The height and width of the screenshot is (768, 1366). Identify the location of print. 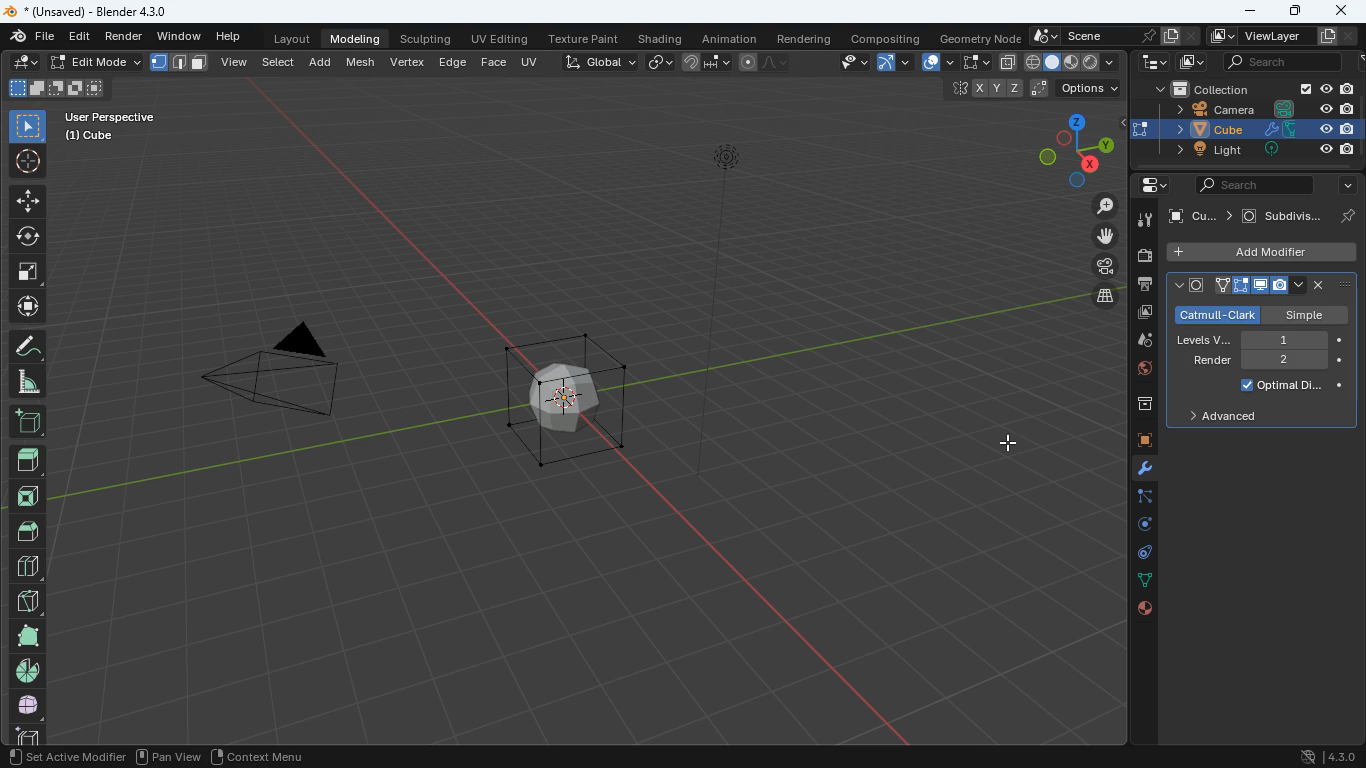
(1143, 287).